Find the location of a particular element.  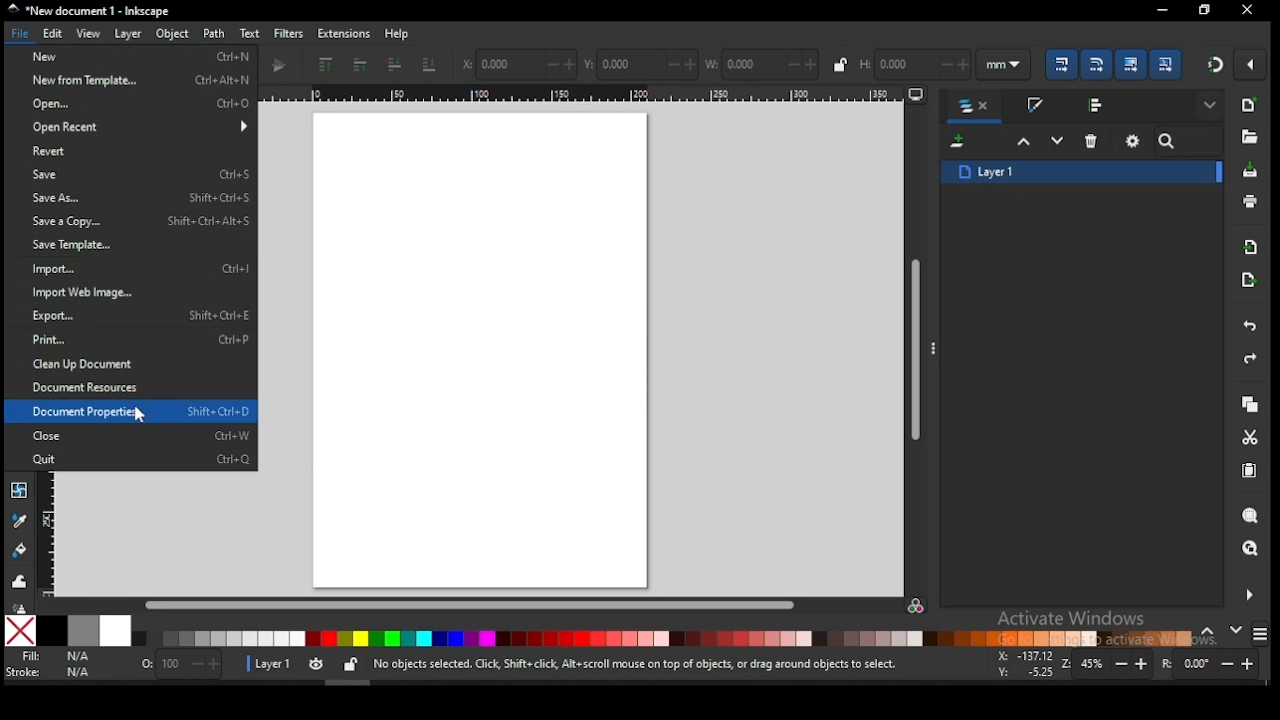

print is located at coordinates (141, 339).